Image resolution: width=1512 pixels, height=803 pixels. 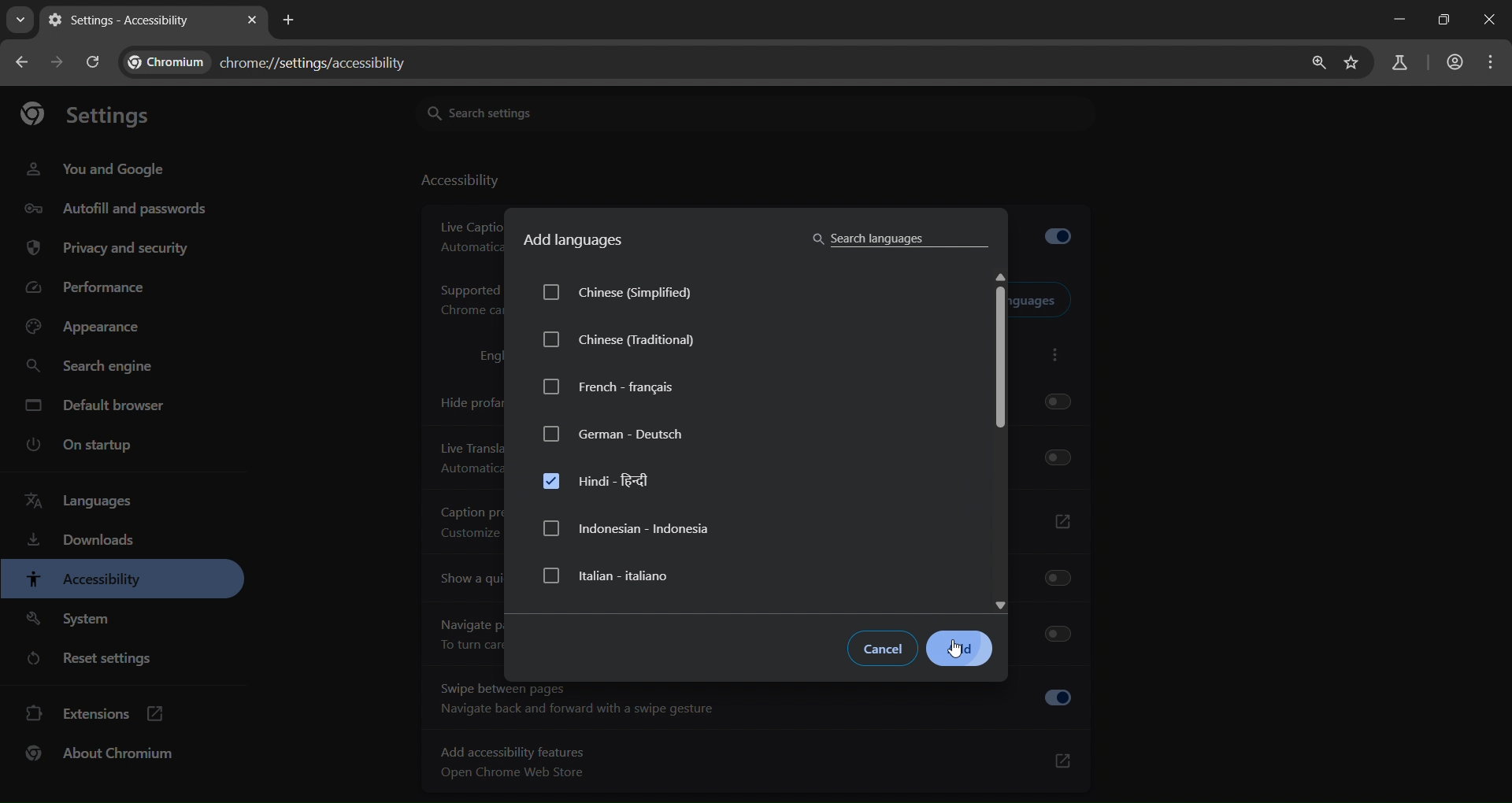 What do you see at coordinates (77, 501) in the screenshot?
I see `languages` at bounding box center [77, 501].